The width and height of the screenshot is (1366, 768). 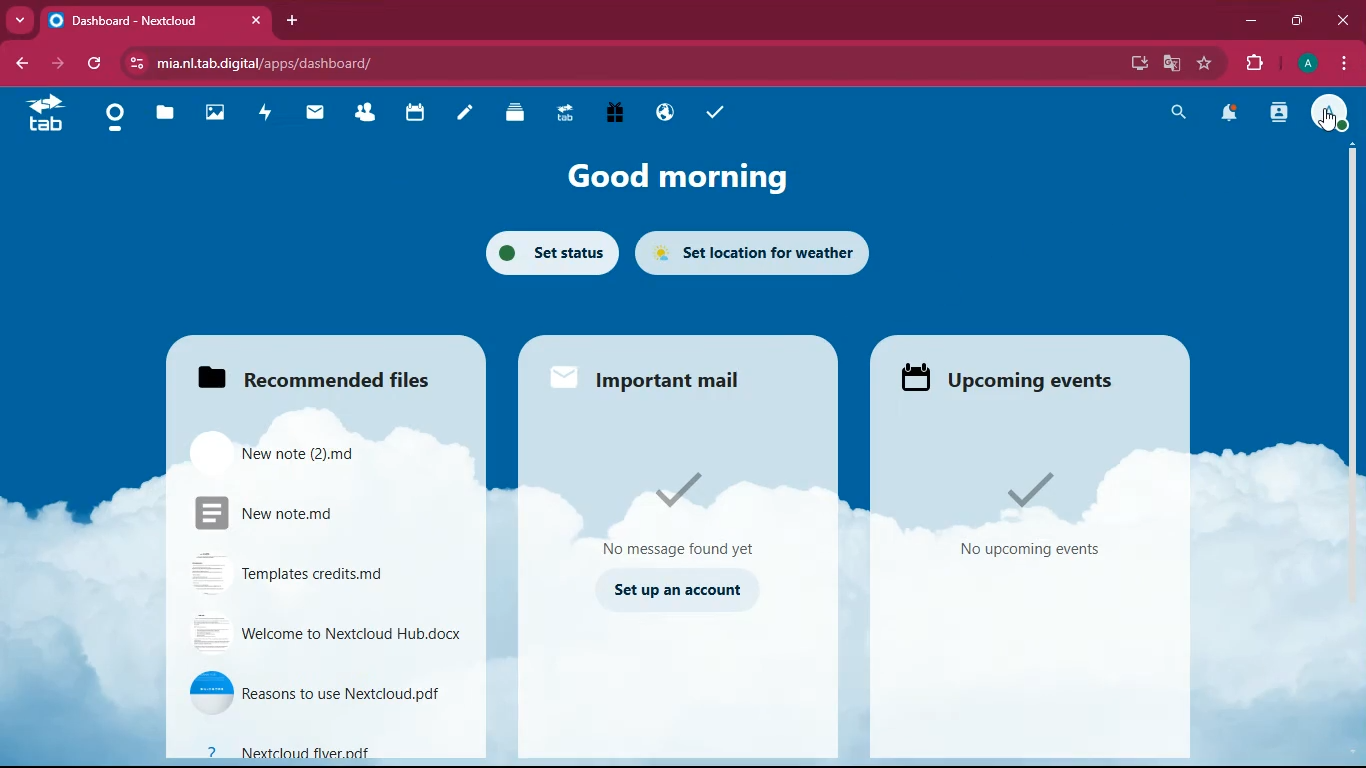 What do you see at coordinates (546, 252) in the screenshot?
I see `set status` at bounding box center [546, 252].